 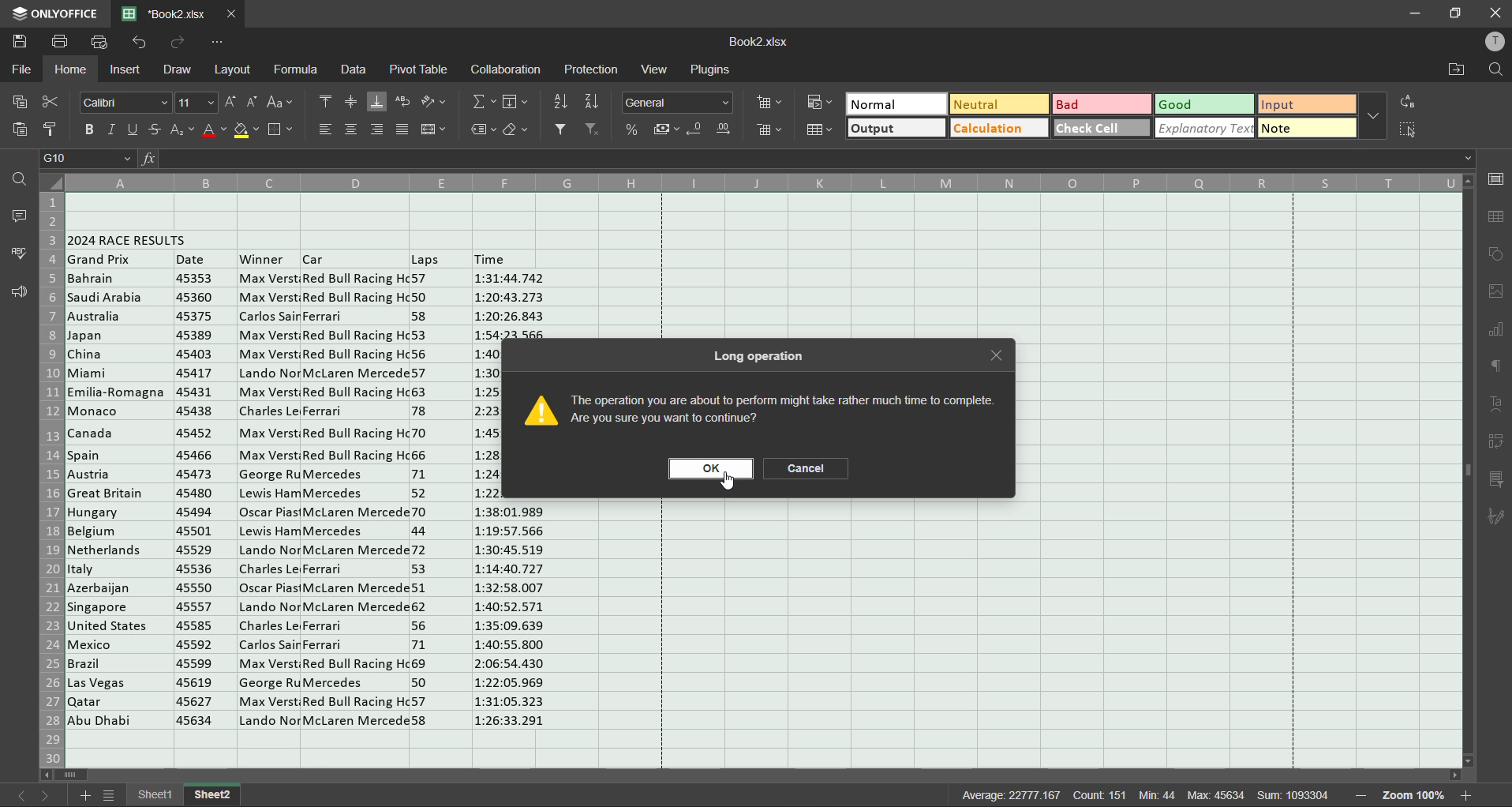 I want to click on text, so click(x=1496, y=405).